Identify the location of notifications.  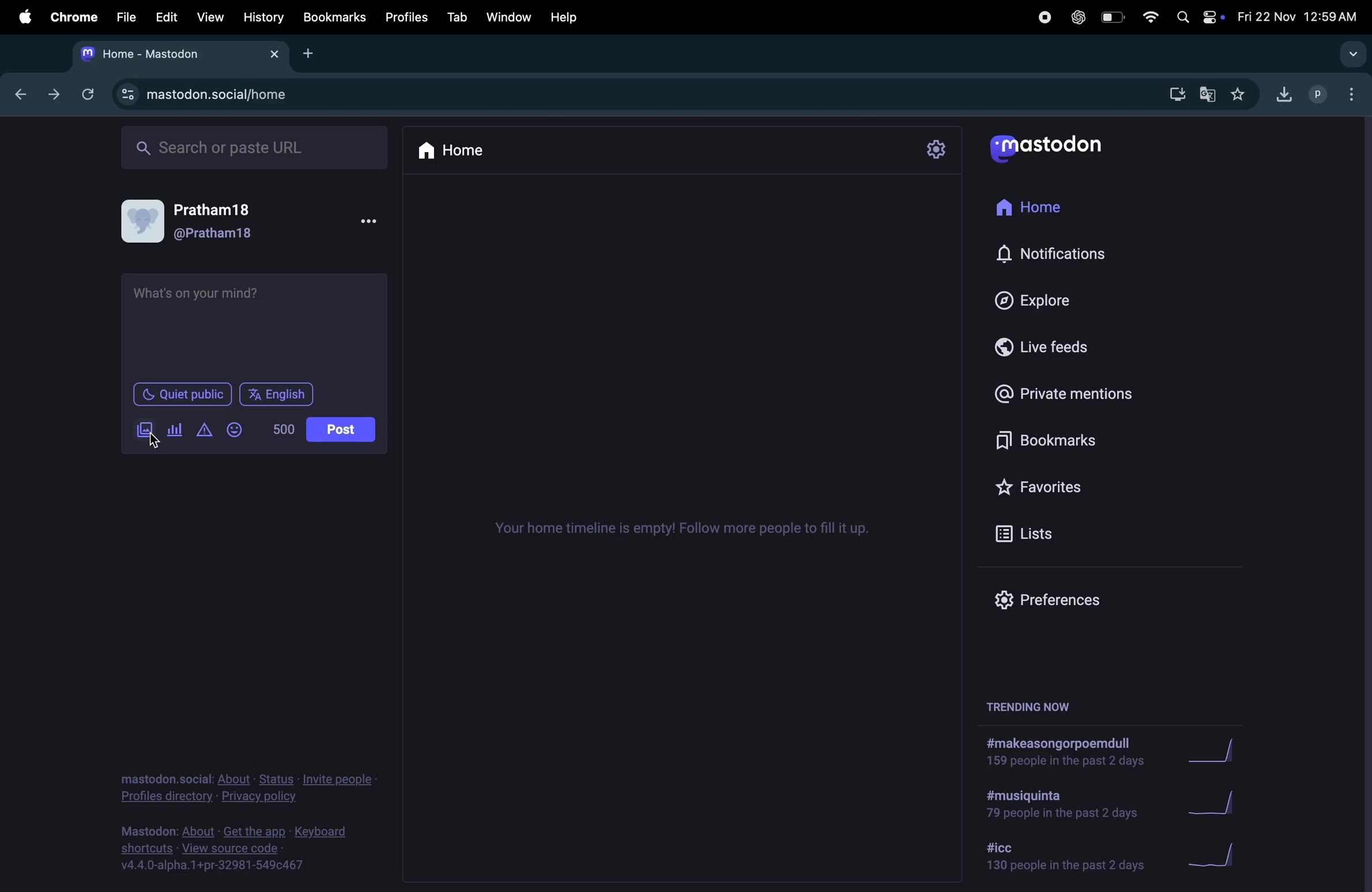
(1063, 252).